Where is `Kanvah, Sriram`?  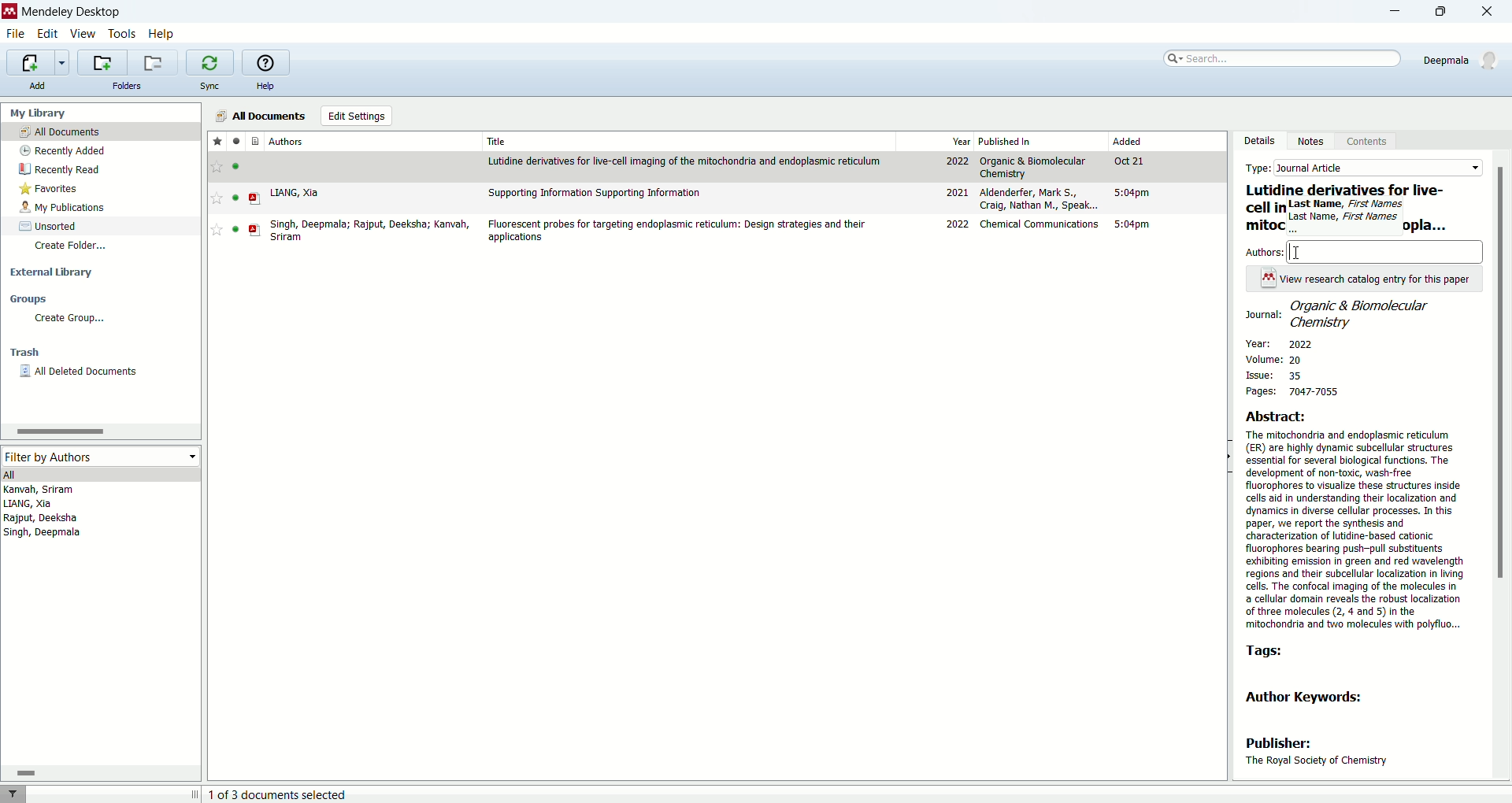
Kanvah, Sriram is located at coordinates (60, 490).